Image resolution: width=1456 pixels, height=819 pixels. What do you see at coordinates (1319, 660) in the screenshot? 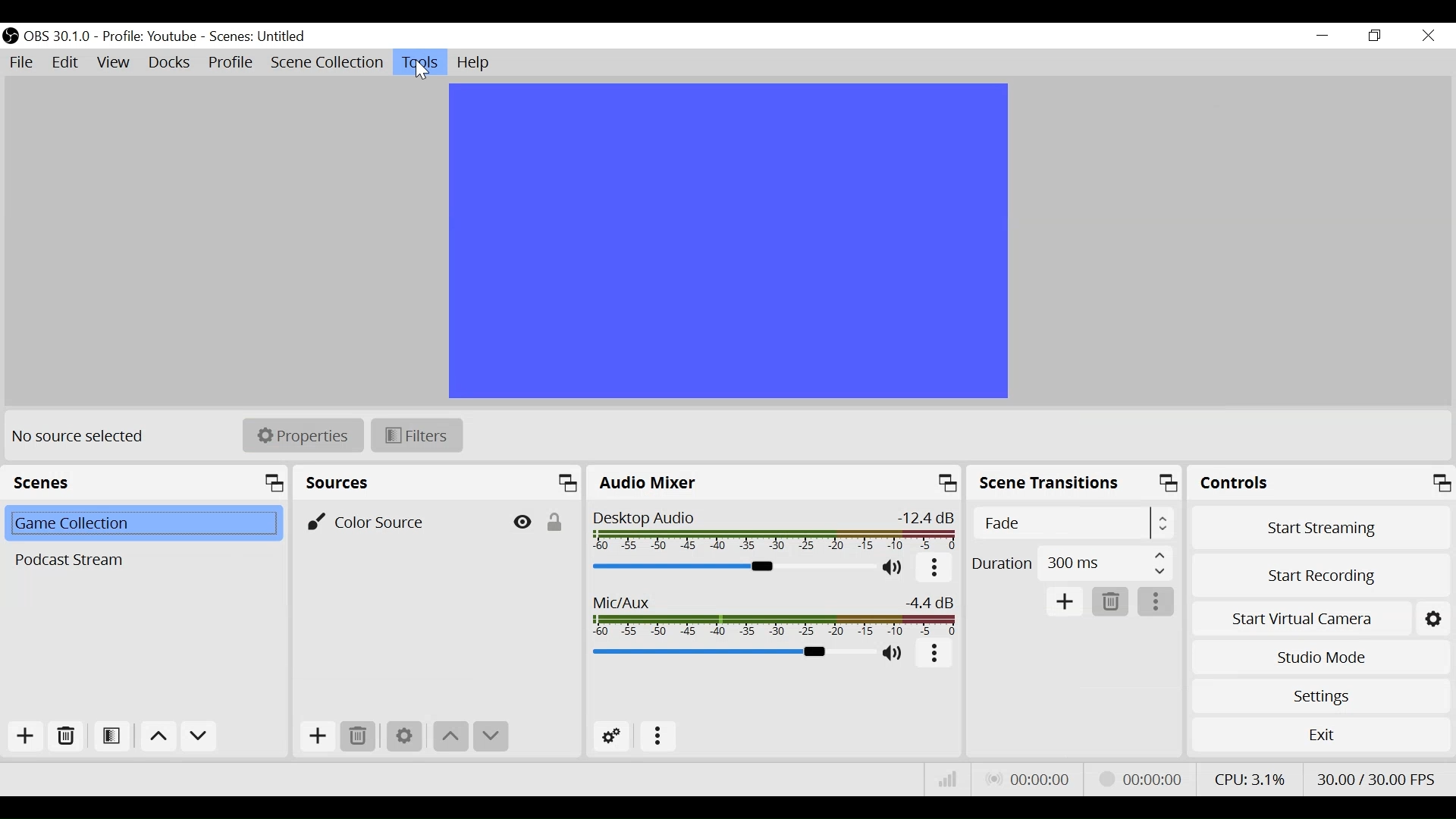
I see `Studio Mode` at bounding box center [1319, 660].